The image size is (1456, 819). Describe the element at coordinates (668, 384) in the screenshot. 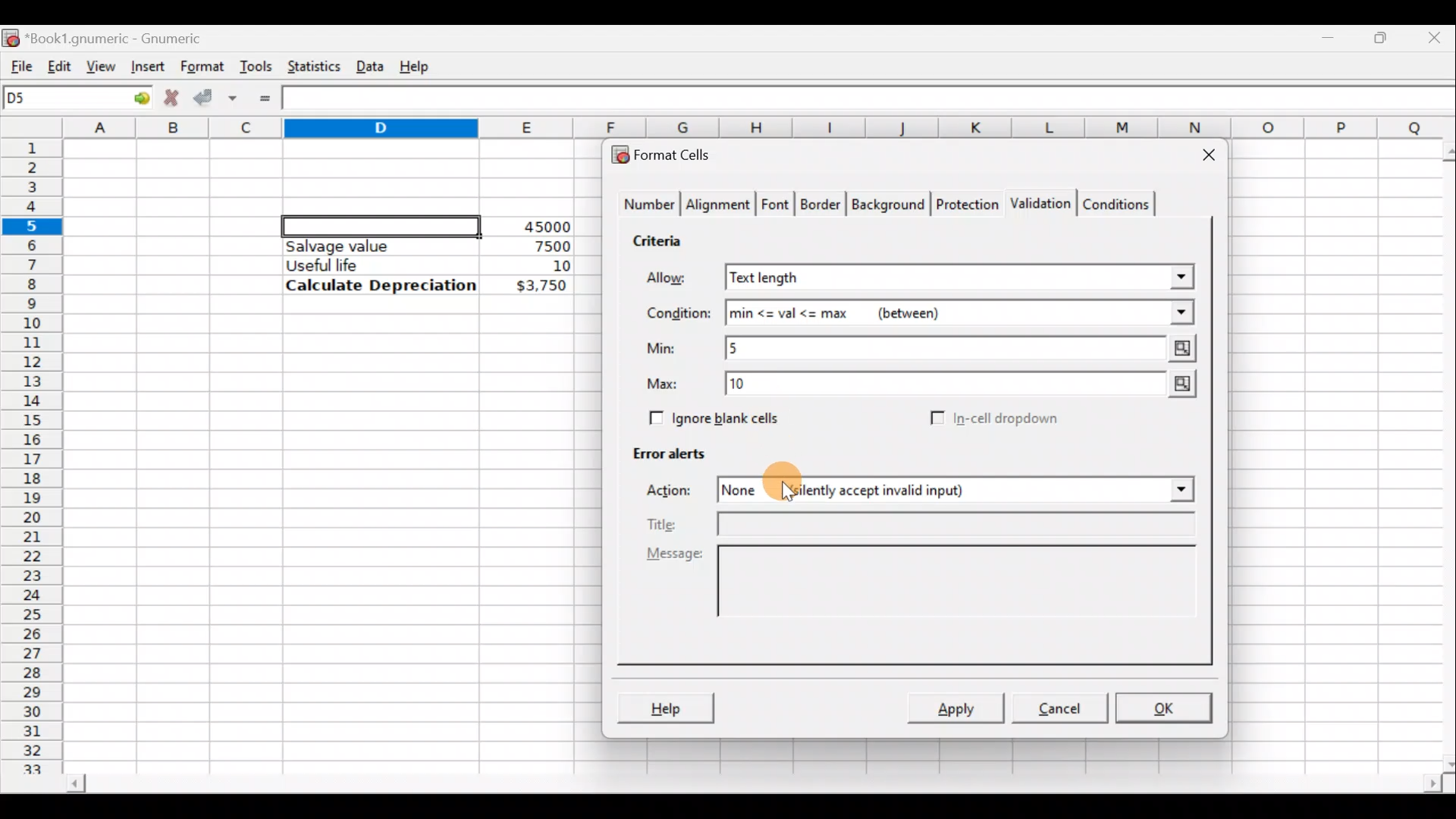

I see `Max` at that location.